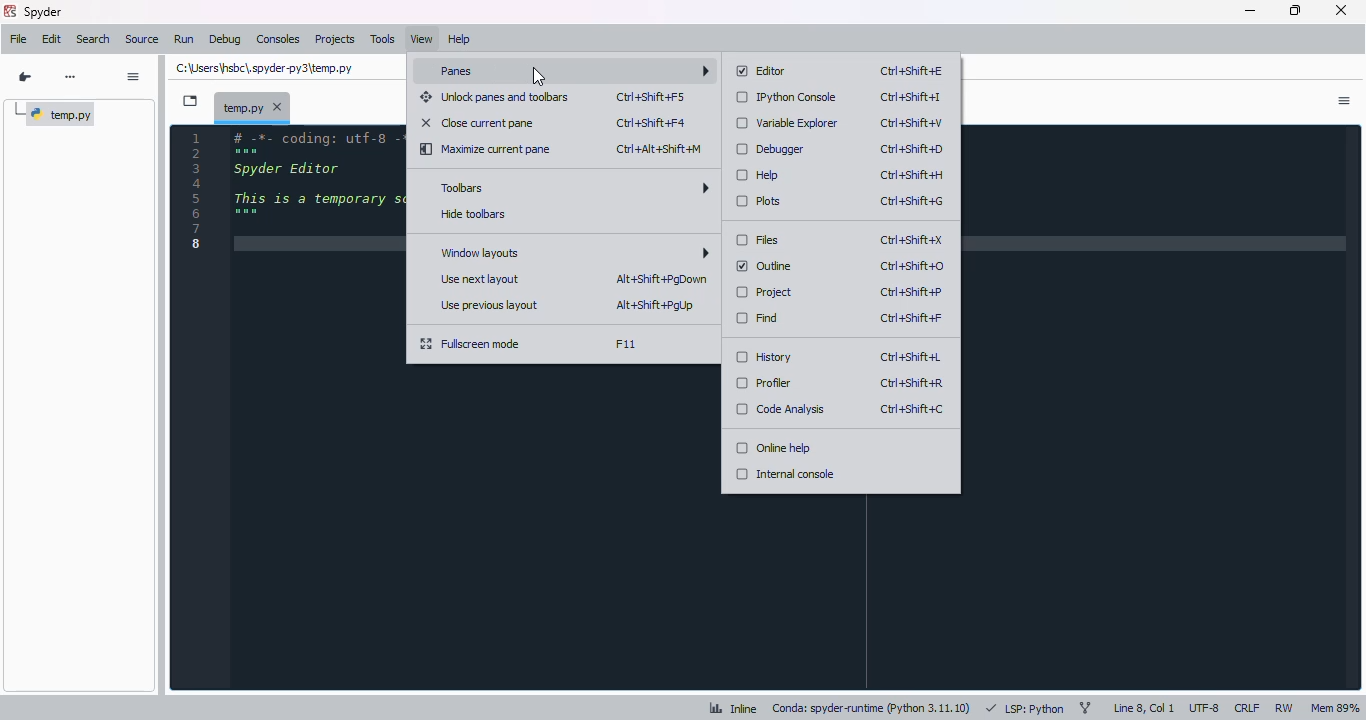  What do you see at coordinates (912, 150) in the screenshot?
I see `shortcut for debugger` at bounding box center [912, 150].